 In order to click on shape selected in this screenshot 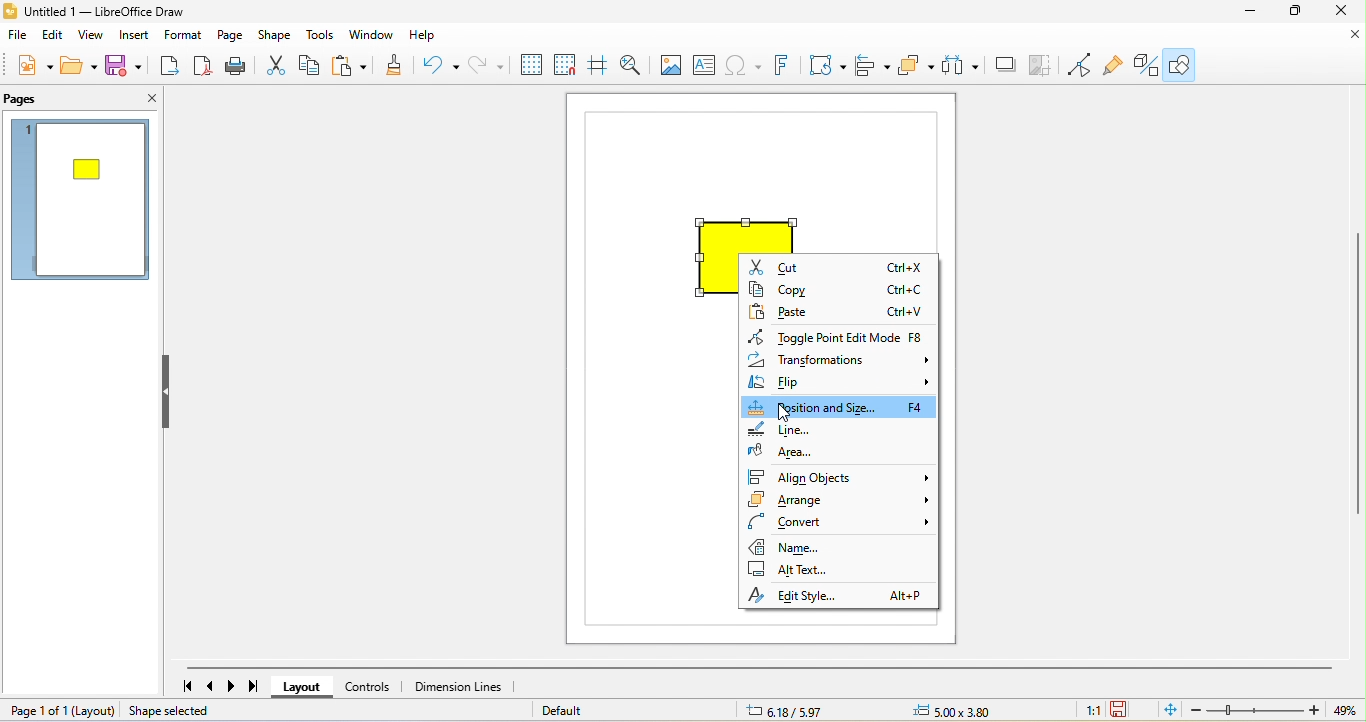, I will do `click(181, 712)`.